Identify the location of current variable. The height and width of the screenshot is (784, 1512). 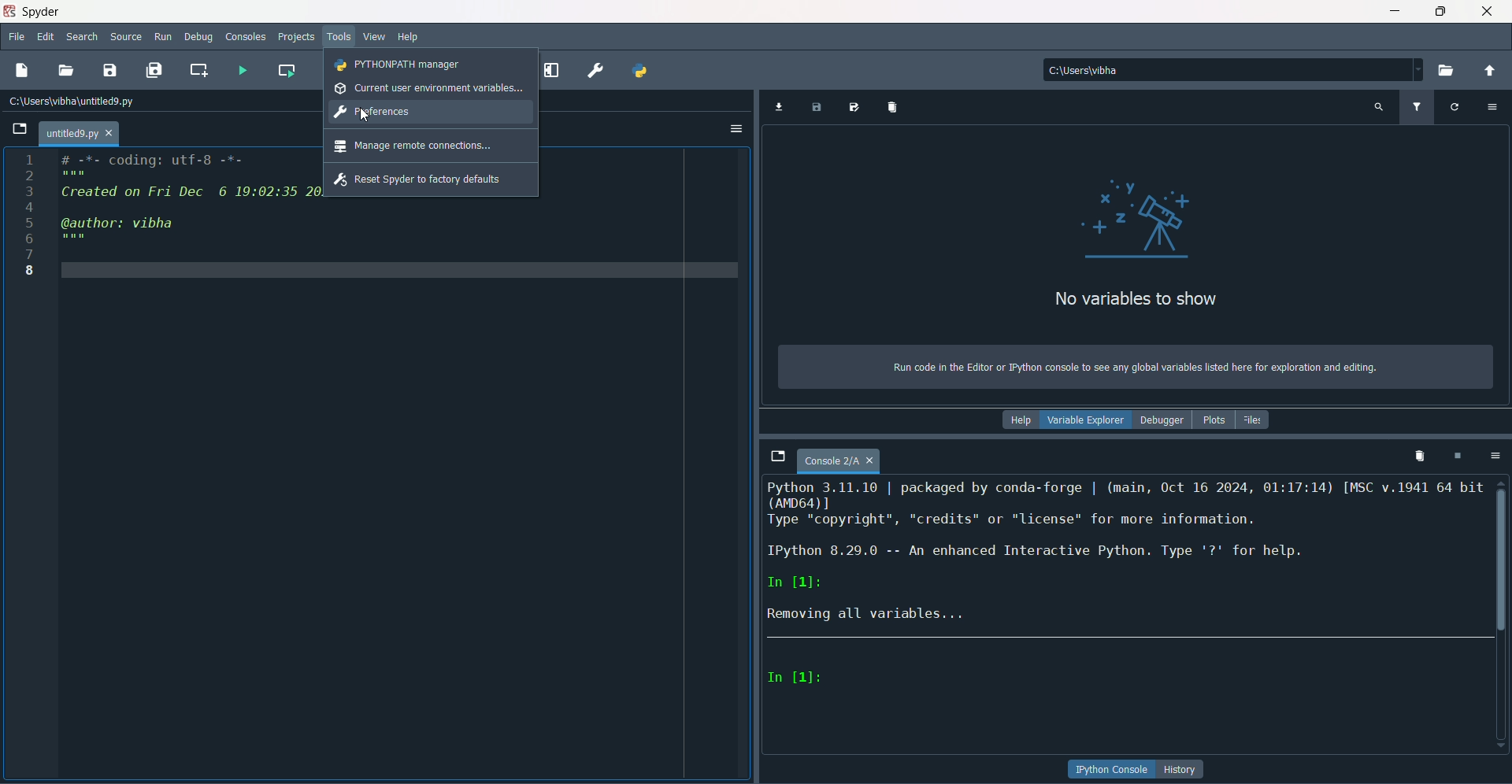
(429, 88).